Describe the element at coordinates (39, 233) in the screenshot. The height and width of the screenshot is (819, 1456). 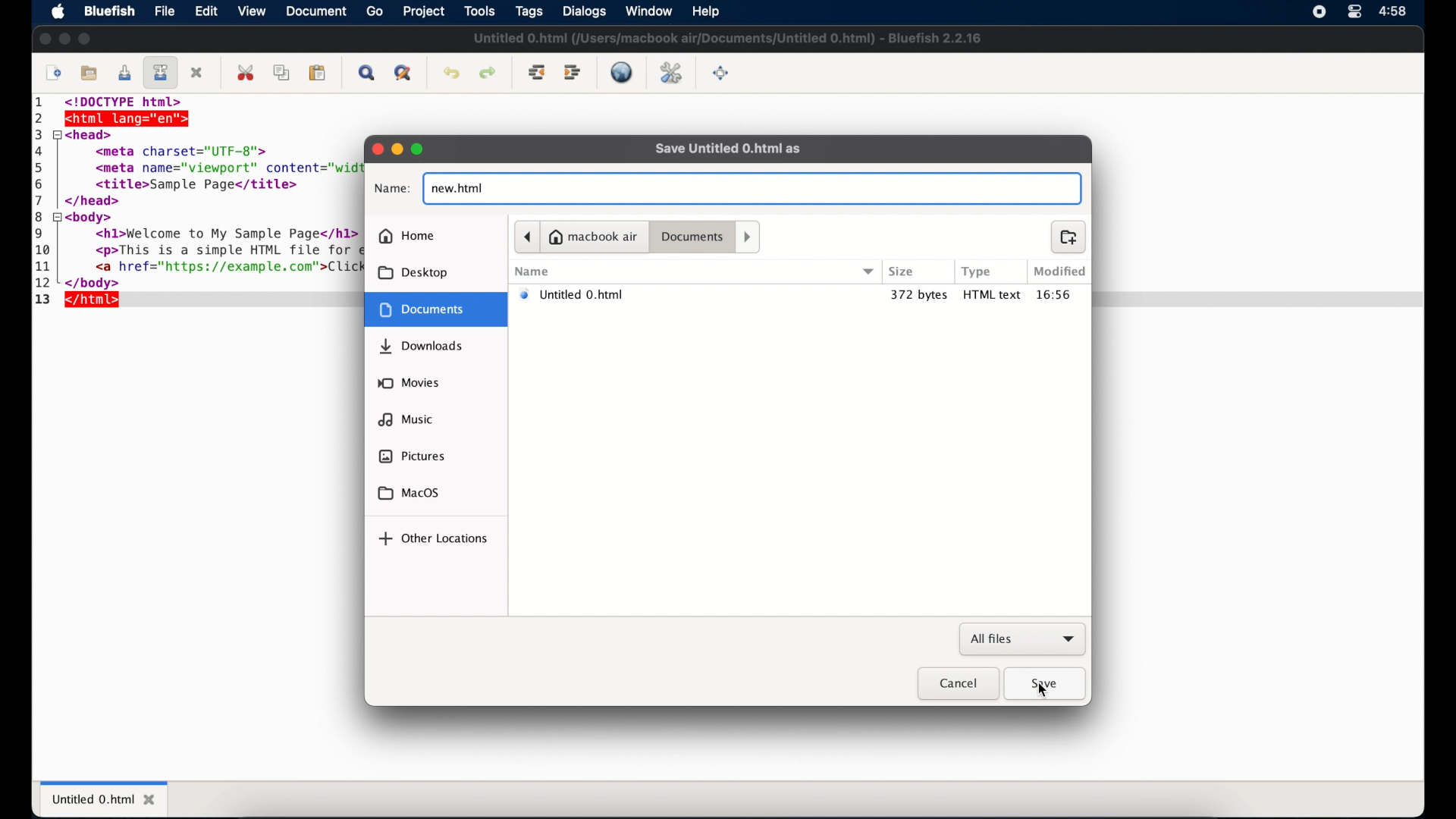
I see `9` at that location.